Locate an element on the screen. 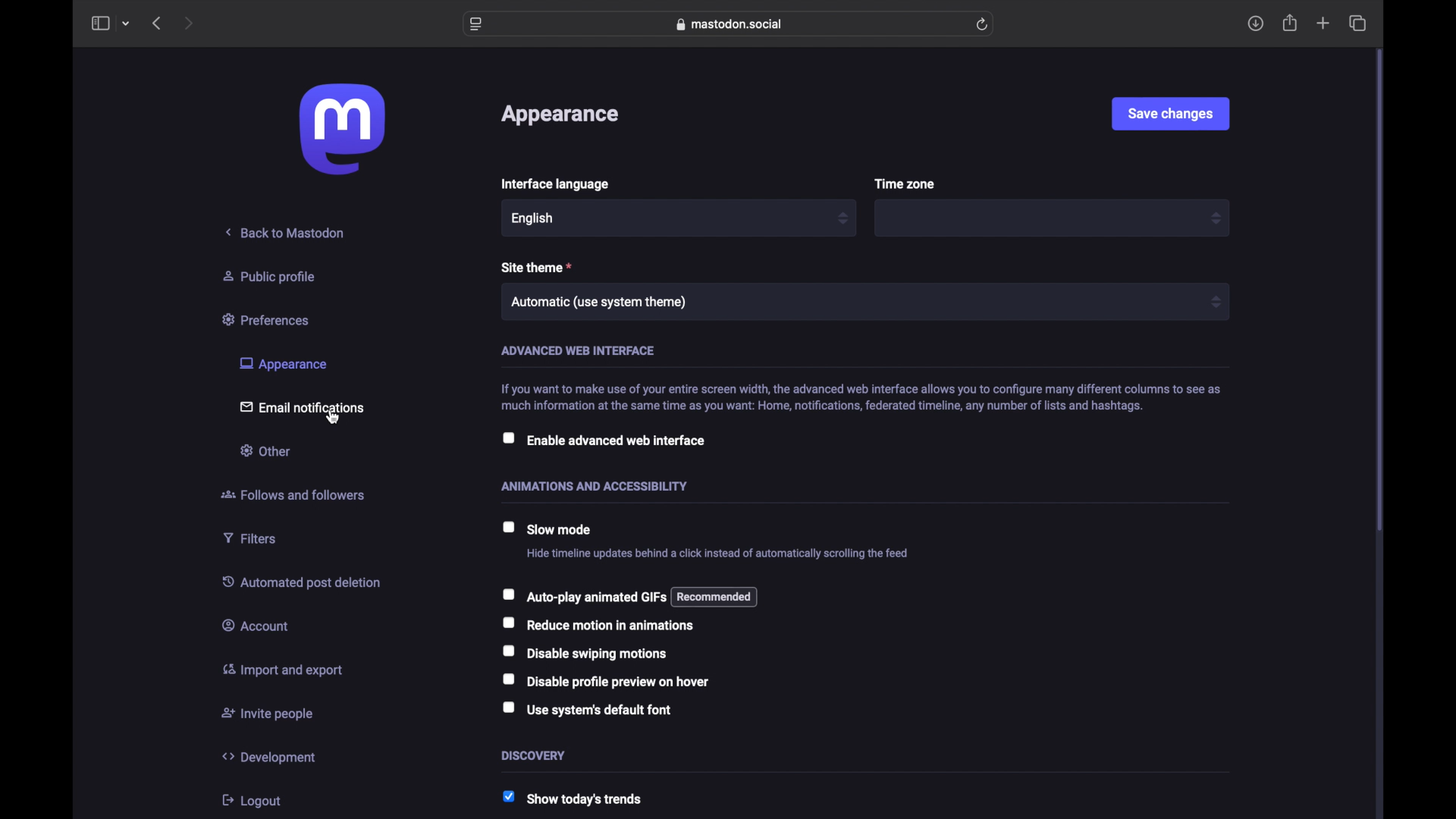 This screenshot has height=819, width=1456. dropdown is located at coordinates (843, 217).